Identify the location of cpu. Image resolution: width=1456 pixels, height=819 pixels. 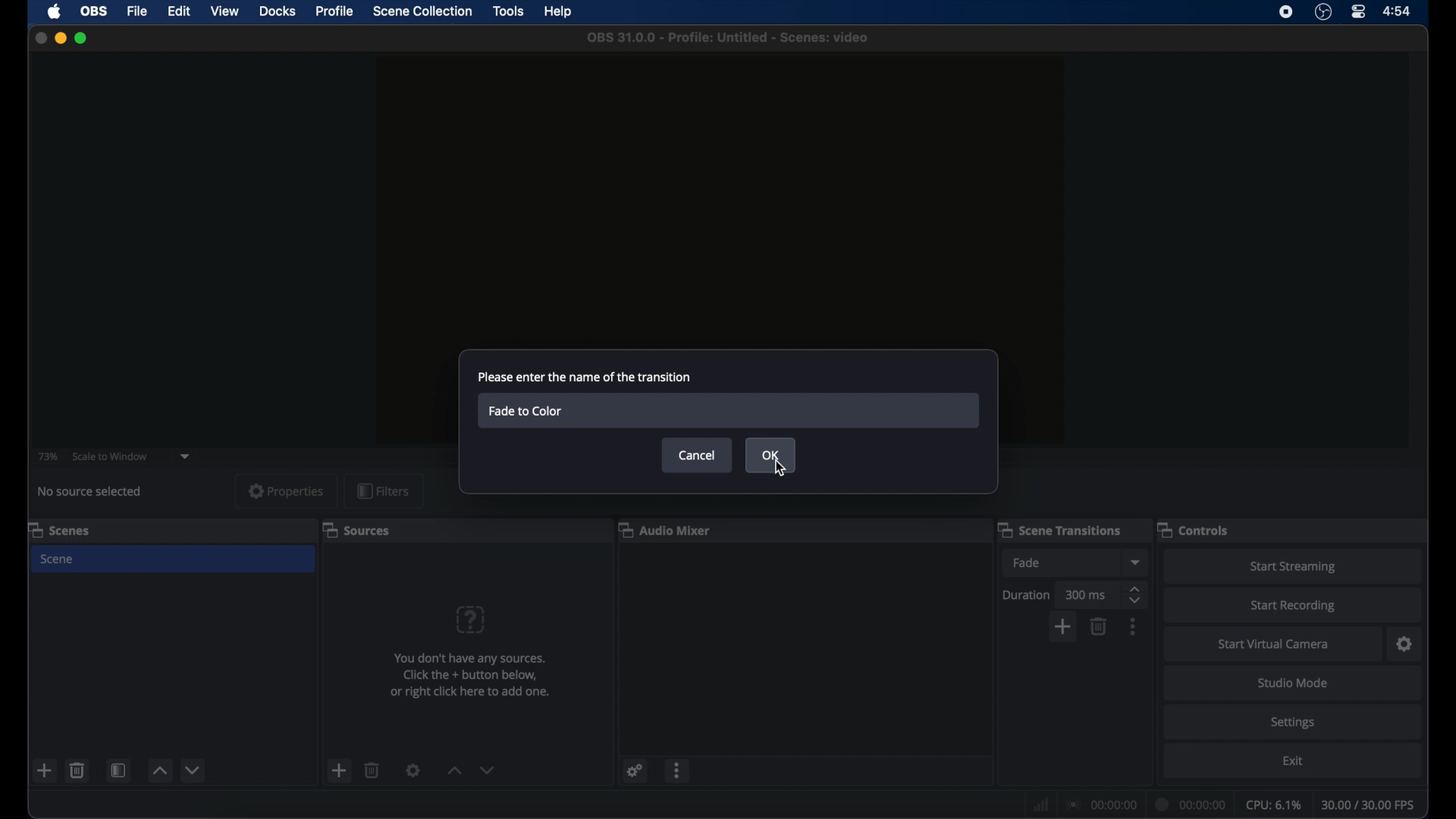
(1273, 805).